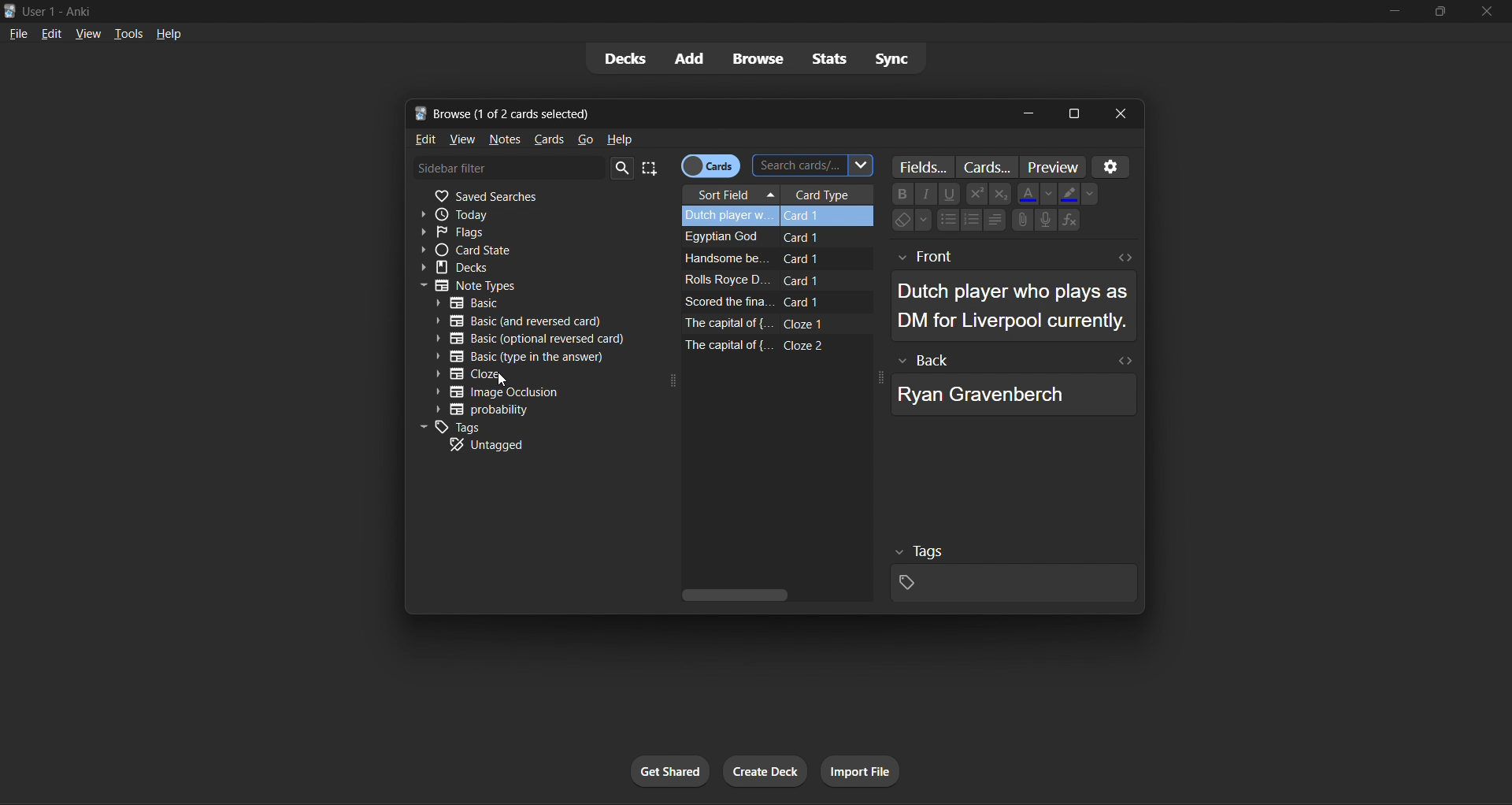 This screenshot has width=1512, height=805. I want to click on cards toggle, so click(713, 166).